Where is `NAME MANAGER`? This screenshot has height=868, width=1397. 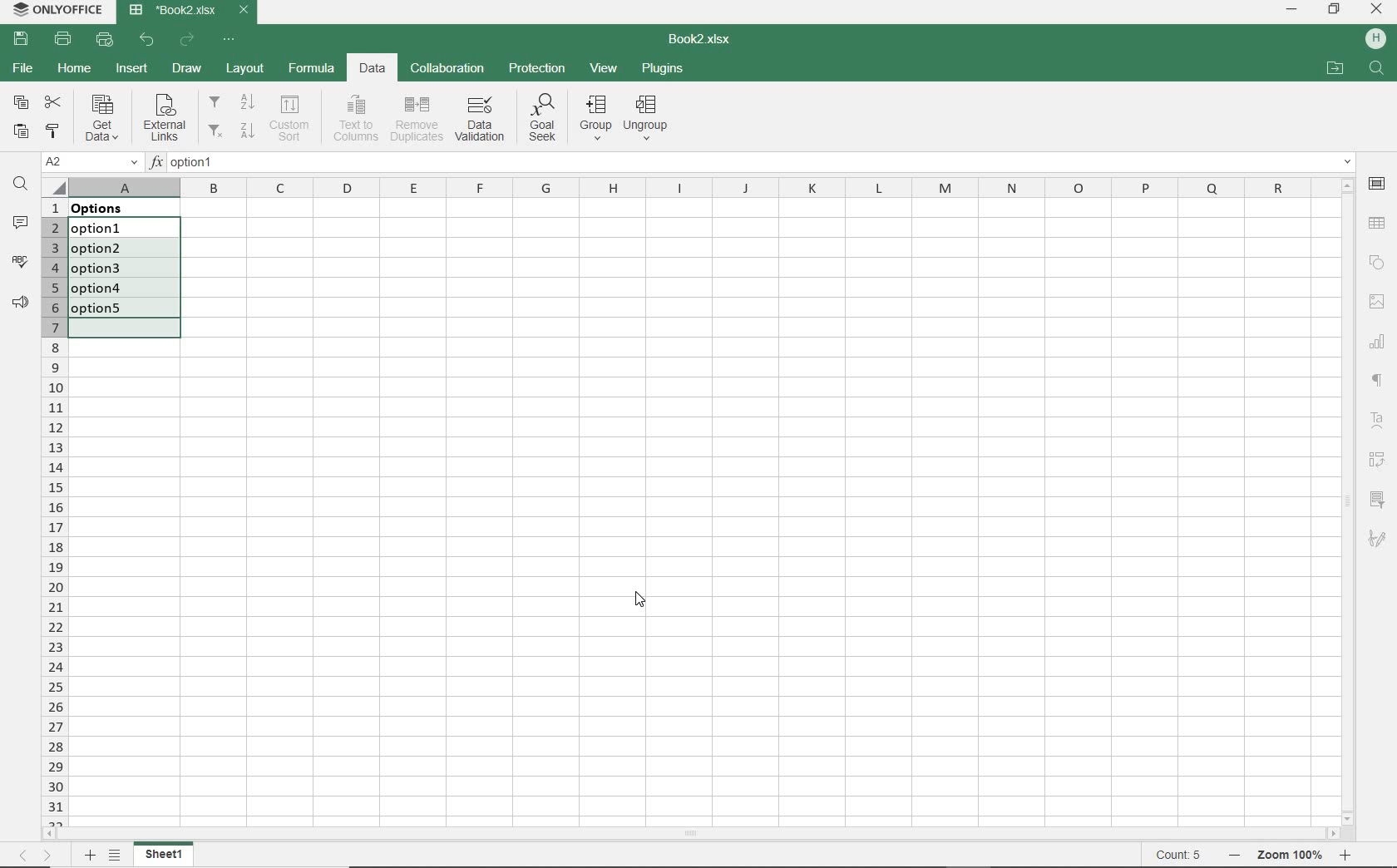
NAME MANAGER is located at coordinates (91, 162).